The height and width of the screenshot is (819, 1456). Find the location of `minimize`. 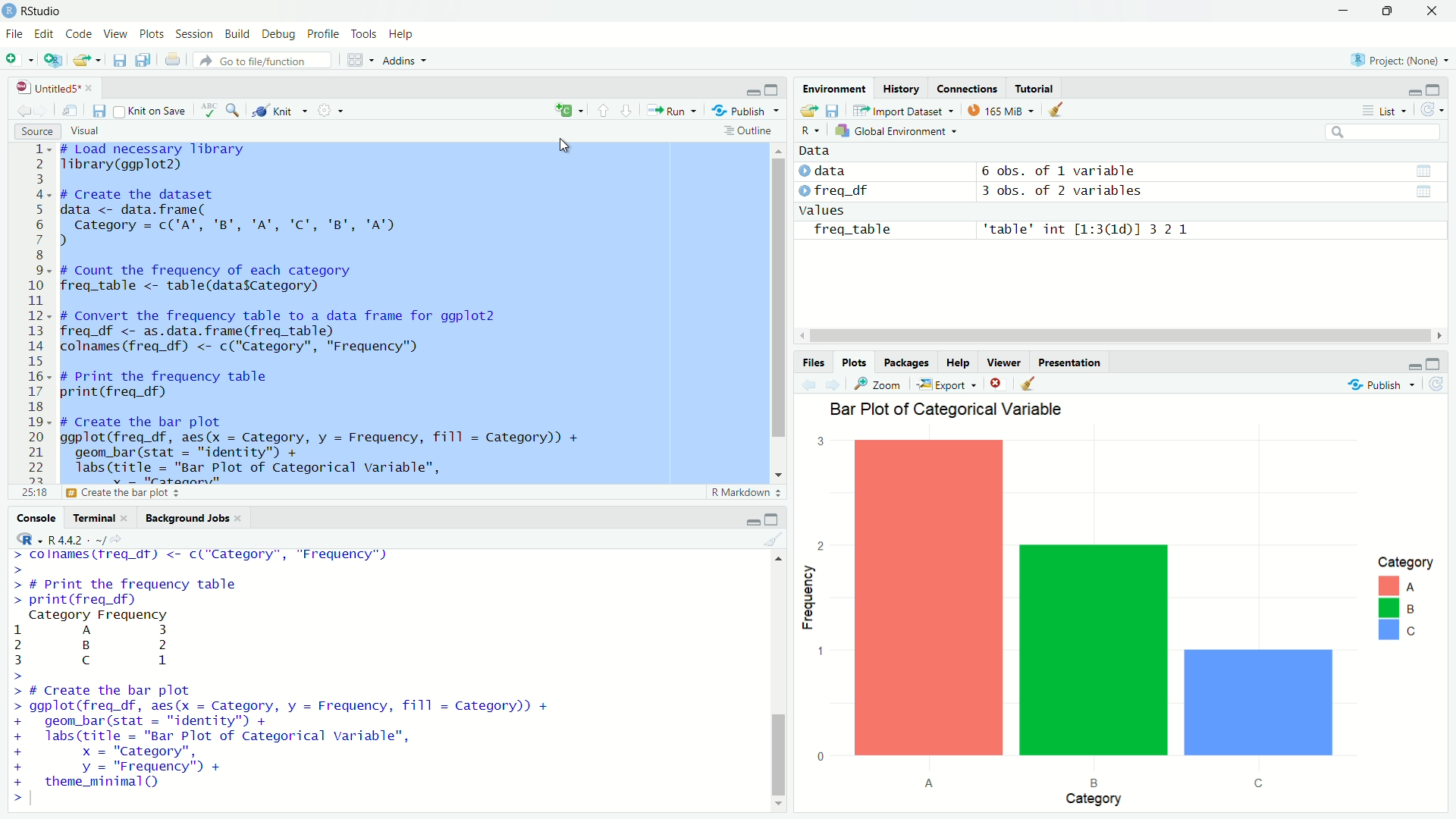

minimize is located at coordinates (1345, 11).